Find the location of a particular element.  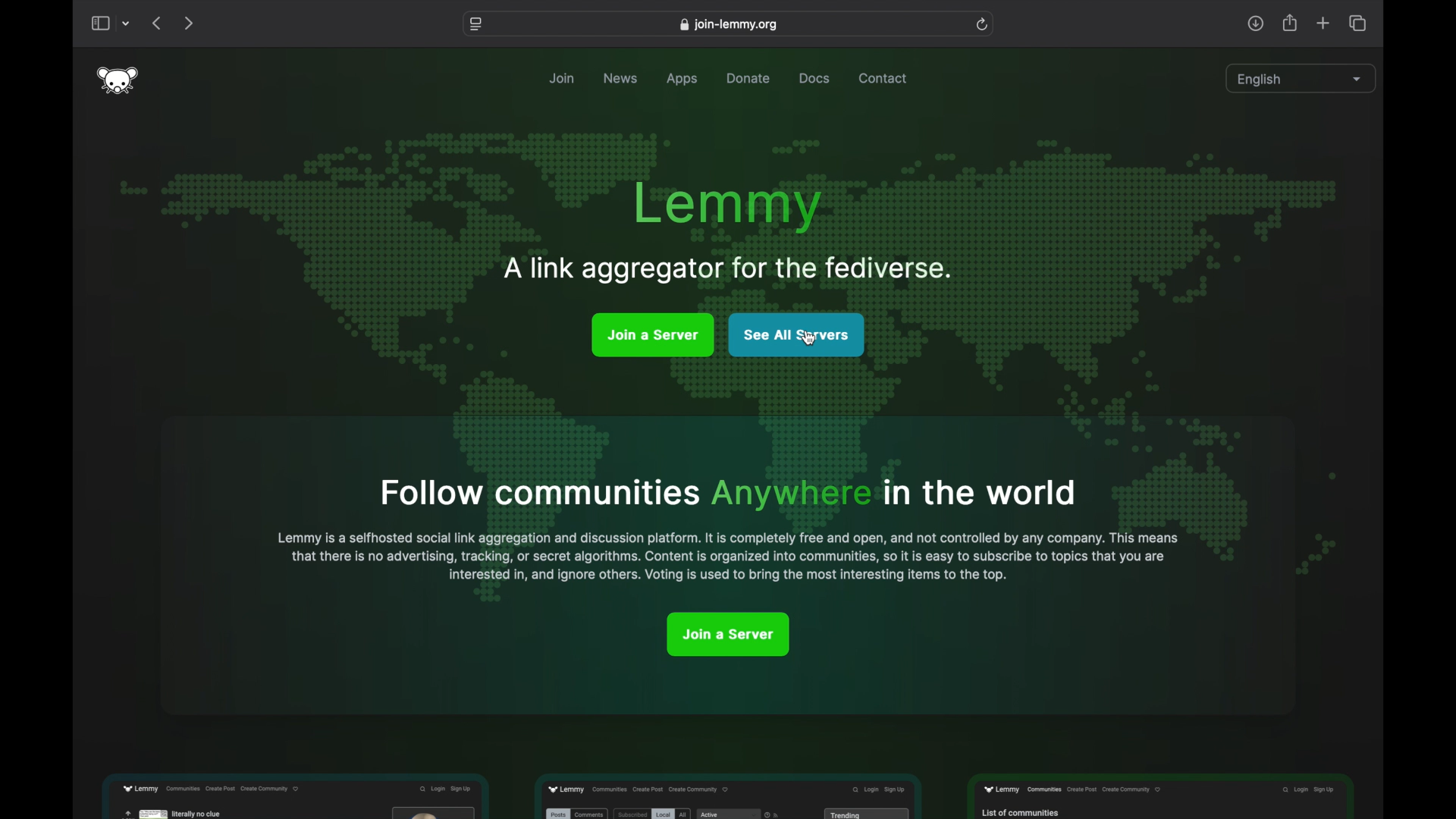

Lemmy is a selfhosted social link aggregator and discussion platform. It is completely free and open and not controlled by any company. This means is located at coordinates (732, 538).